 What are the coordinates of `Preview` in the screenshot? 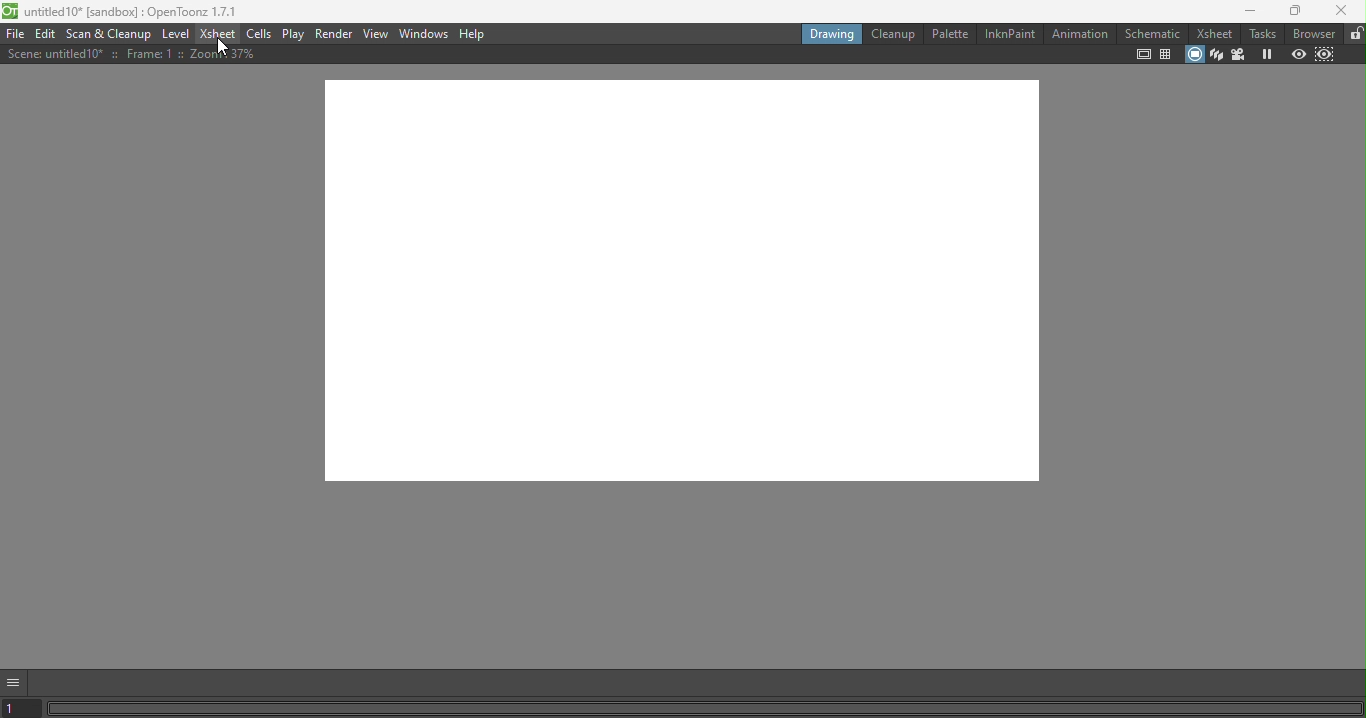 It's located at (1299, 54).